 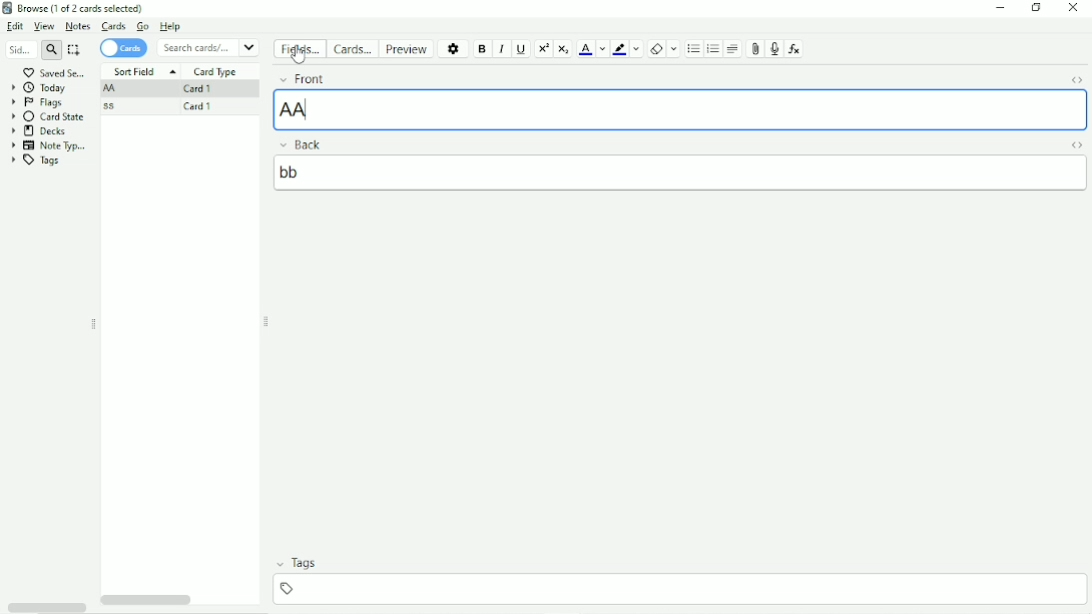 I want to click on Front, so click(x=346, y=79).